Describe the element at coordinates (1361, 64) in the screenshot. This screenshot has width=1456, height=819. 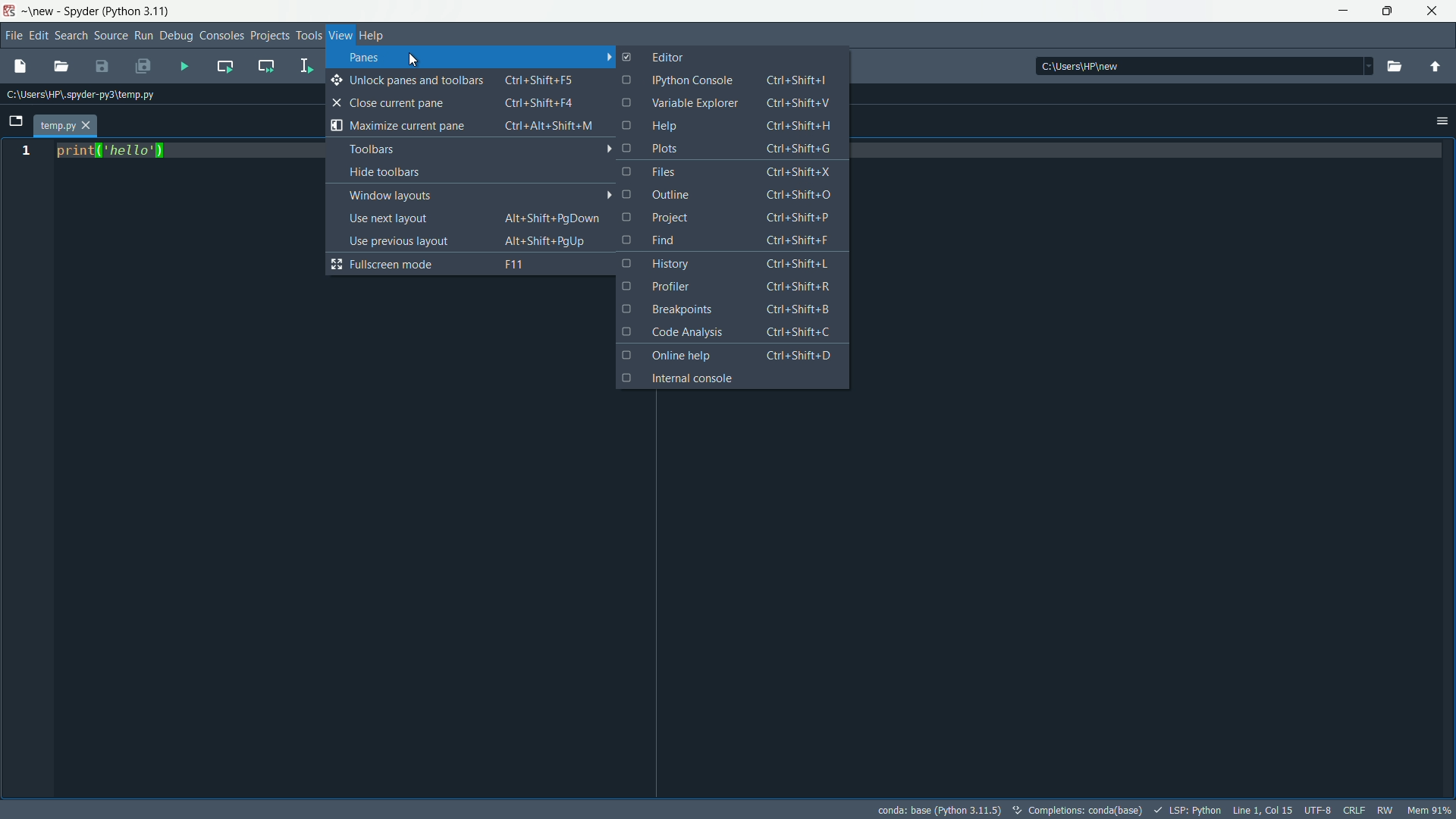
I see `dropdown` at that location.